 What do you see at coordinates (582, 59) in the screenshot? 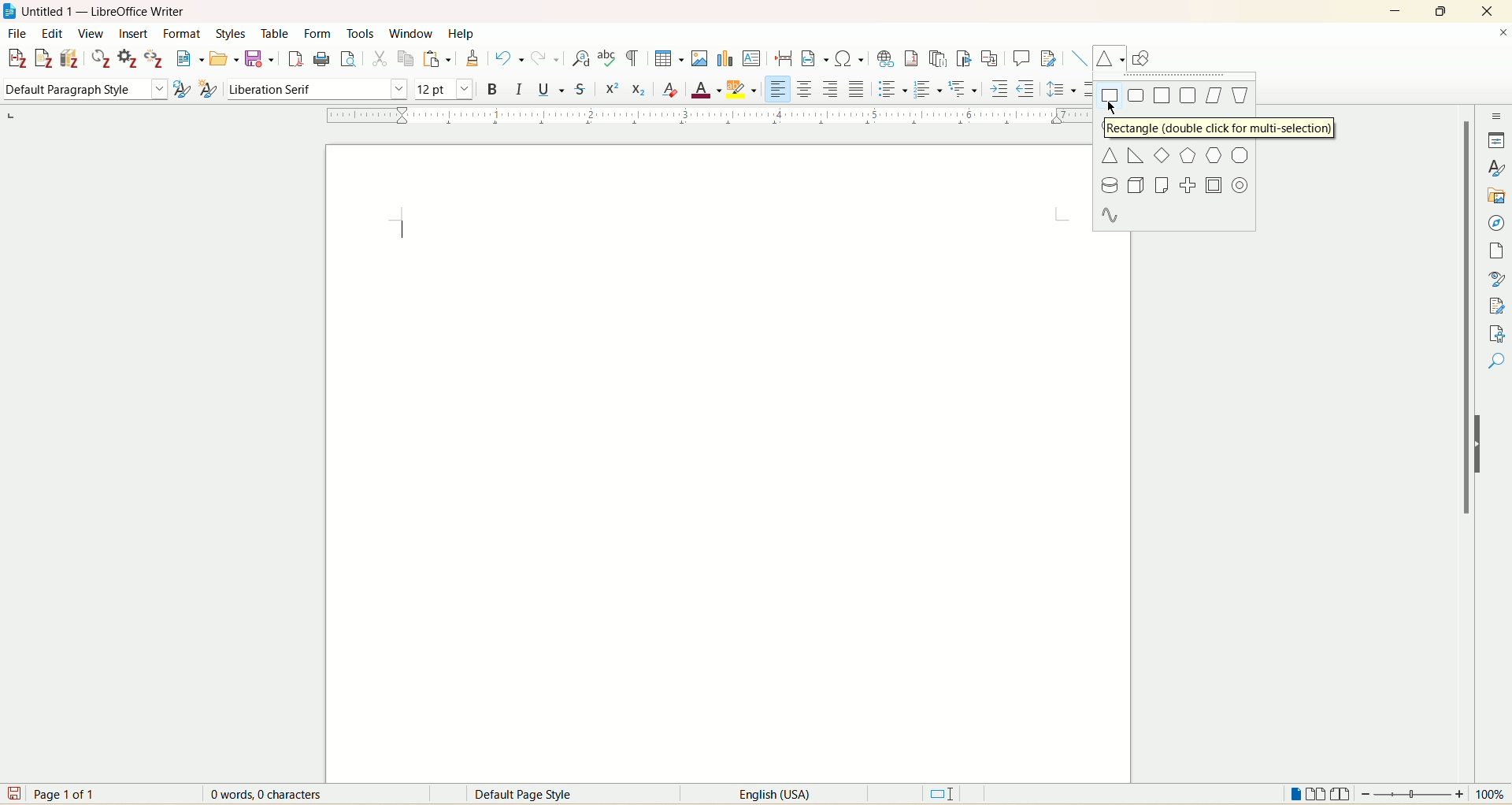
I see `find and replace` at bounding box center [582, 59].